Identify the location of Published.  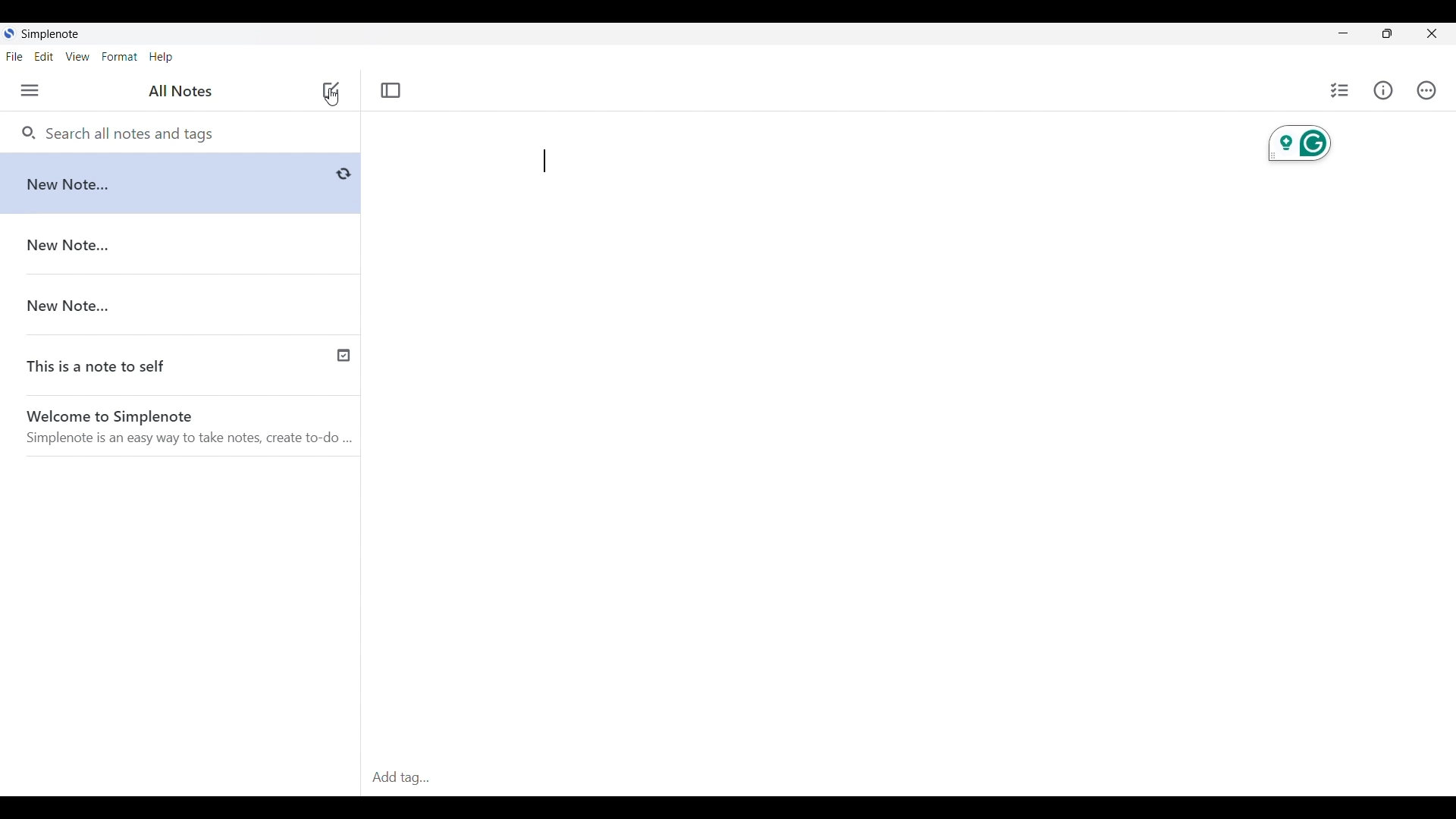
(346, 356).